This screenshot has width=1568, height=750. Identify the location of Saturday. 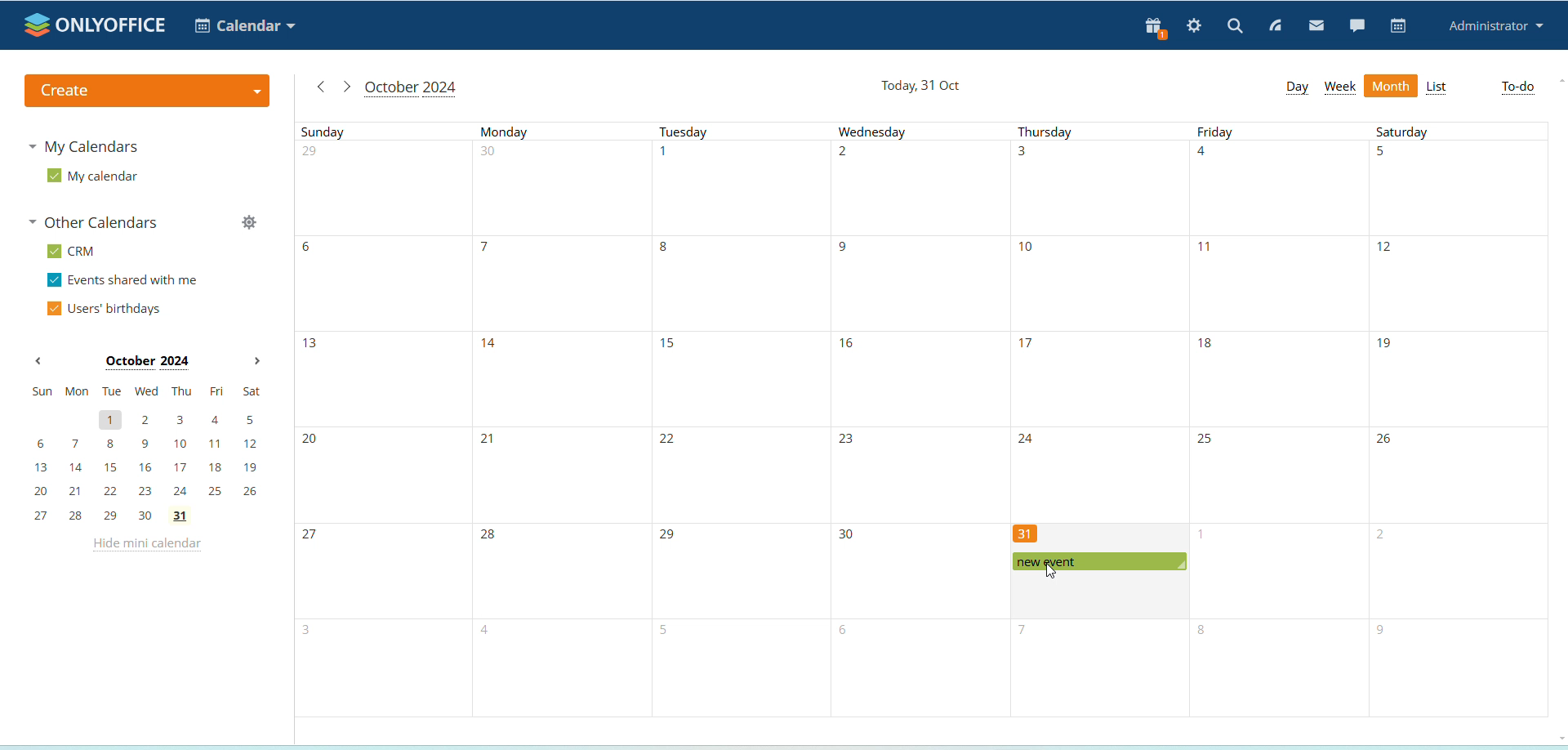
(1459, 419).